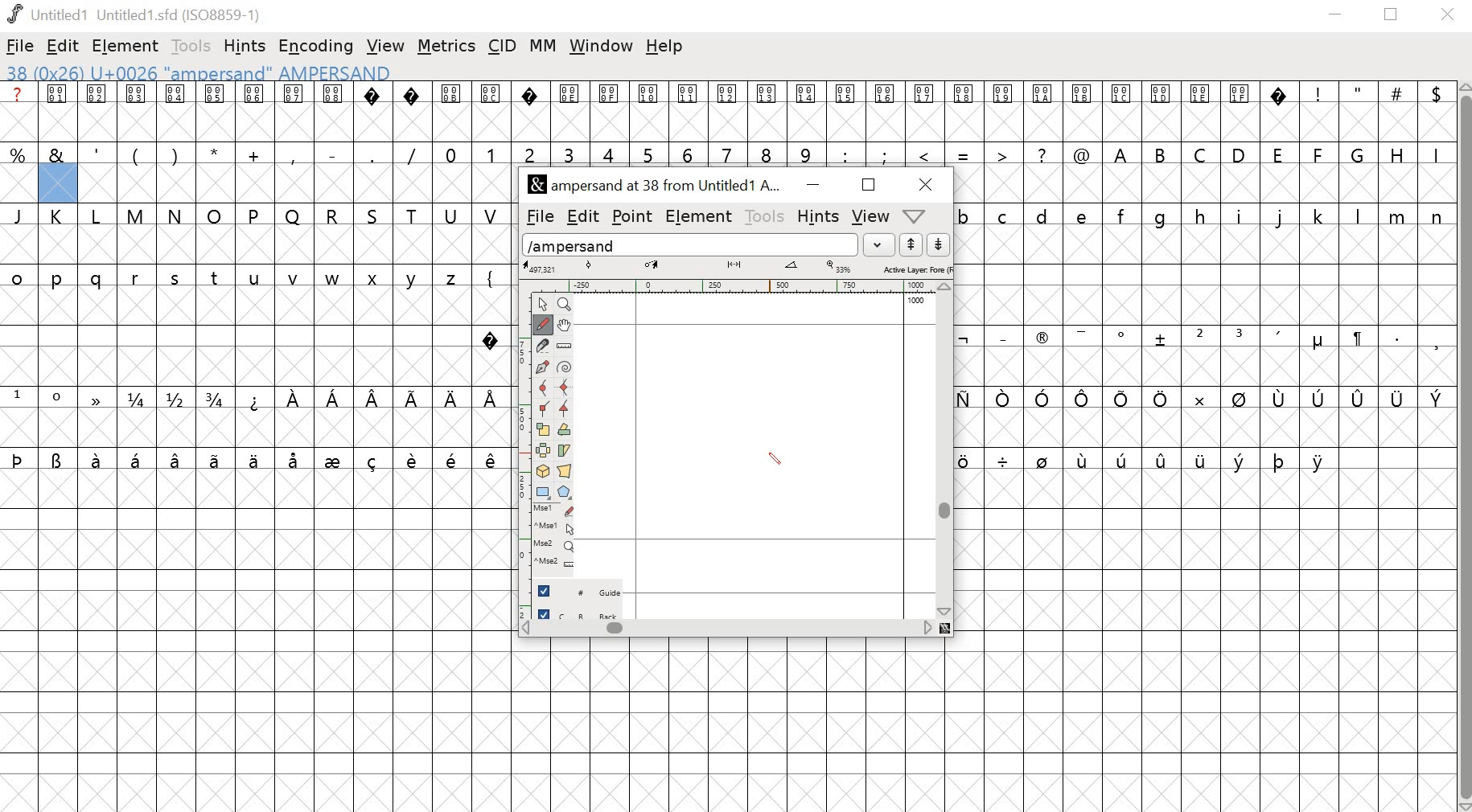  Describe the element at coordinates (294, 399) in the screenshot. I see `symbol` at that location.